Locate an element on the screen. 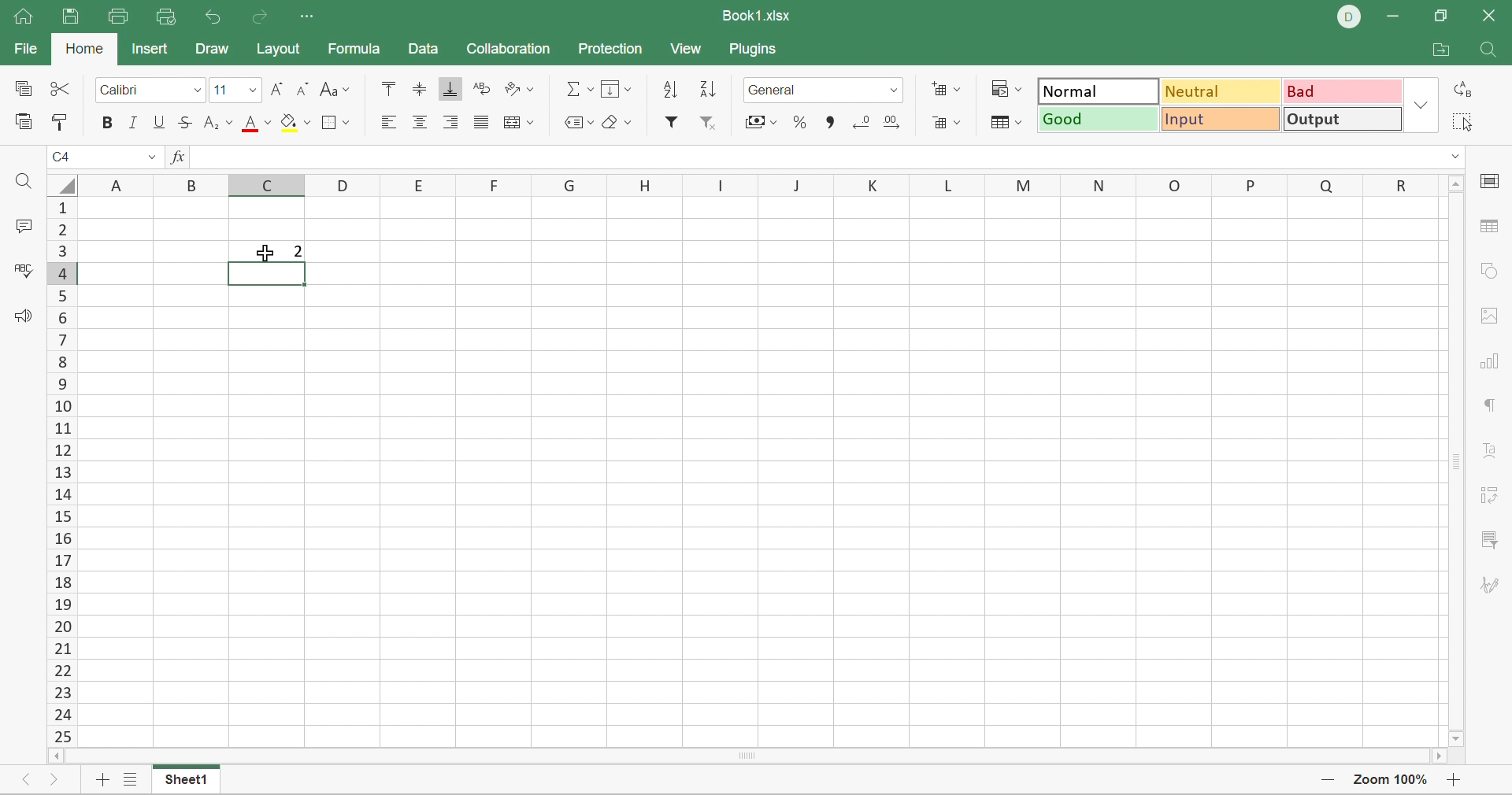  Plugins is located at coordinates (755, 54).